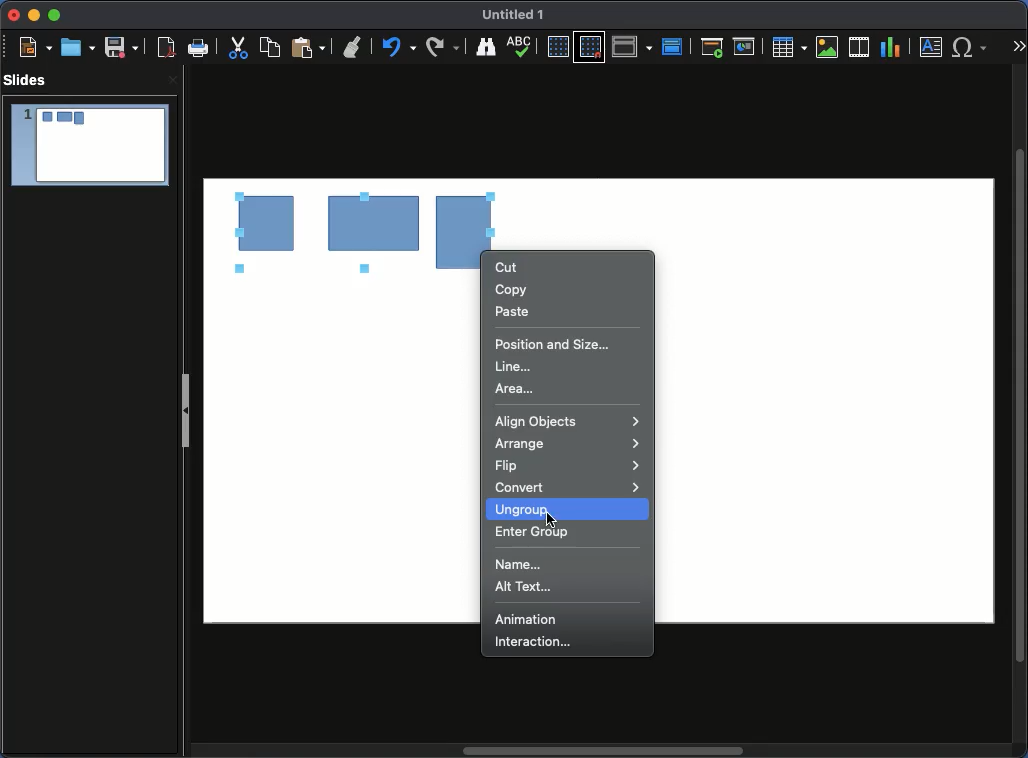 The height and width of the screenshot is (758, 1028). What do you see at coordinates (931, 48) in the screenshot?
I see `Textbox` at bounding box center [931, 48].